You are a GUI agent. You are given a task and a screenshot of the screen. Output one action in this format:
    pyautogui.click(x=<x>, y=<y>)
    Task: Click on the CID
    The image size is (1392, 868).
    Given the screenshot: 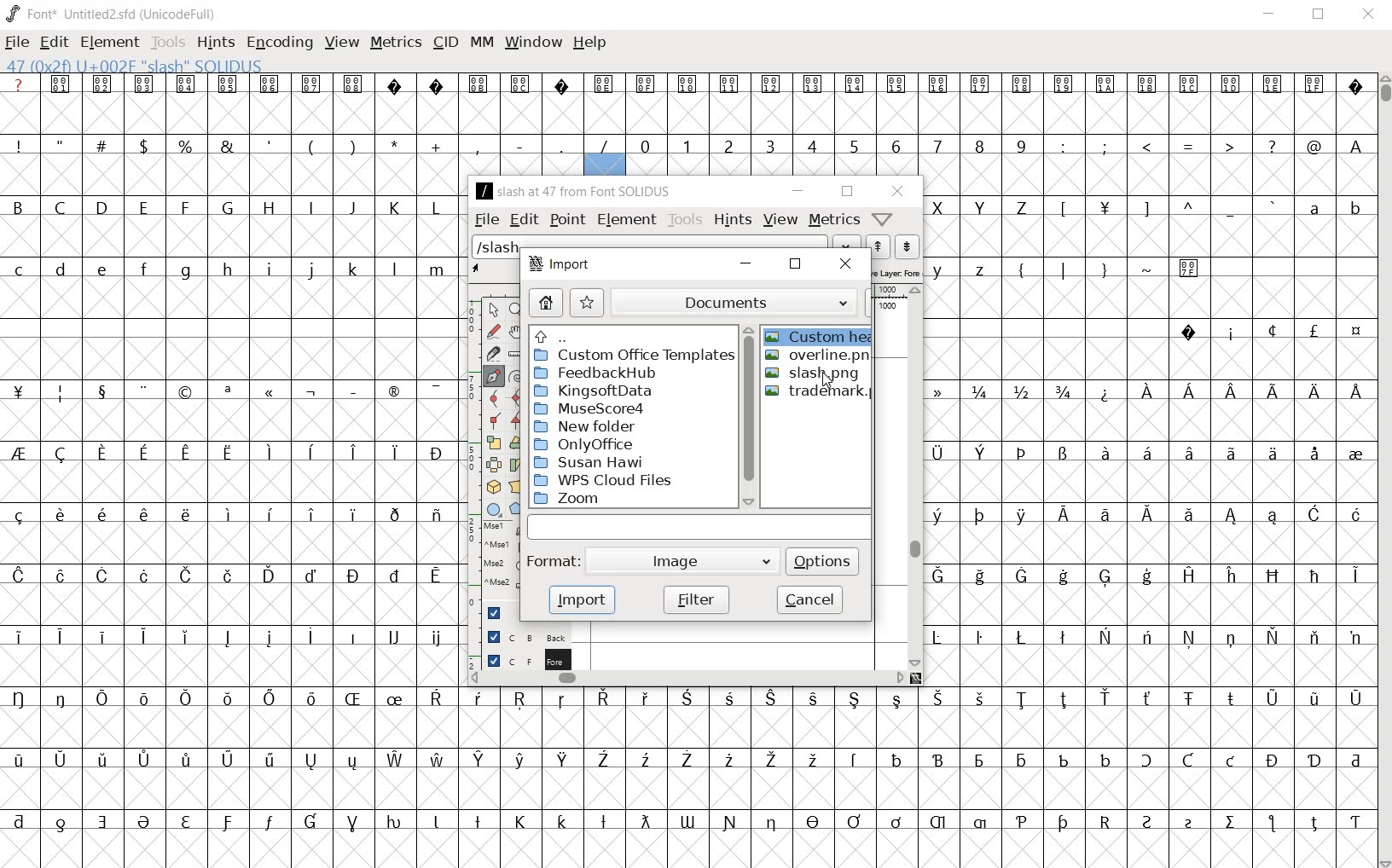 What is the action you would take?
    pyautogui.click(x=445, y=43)
    